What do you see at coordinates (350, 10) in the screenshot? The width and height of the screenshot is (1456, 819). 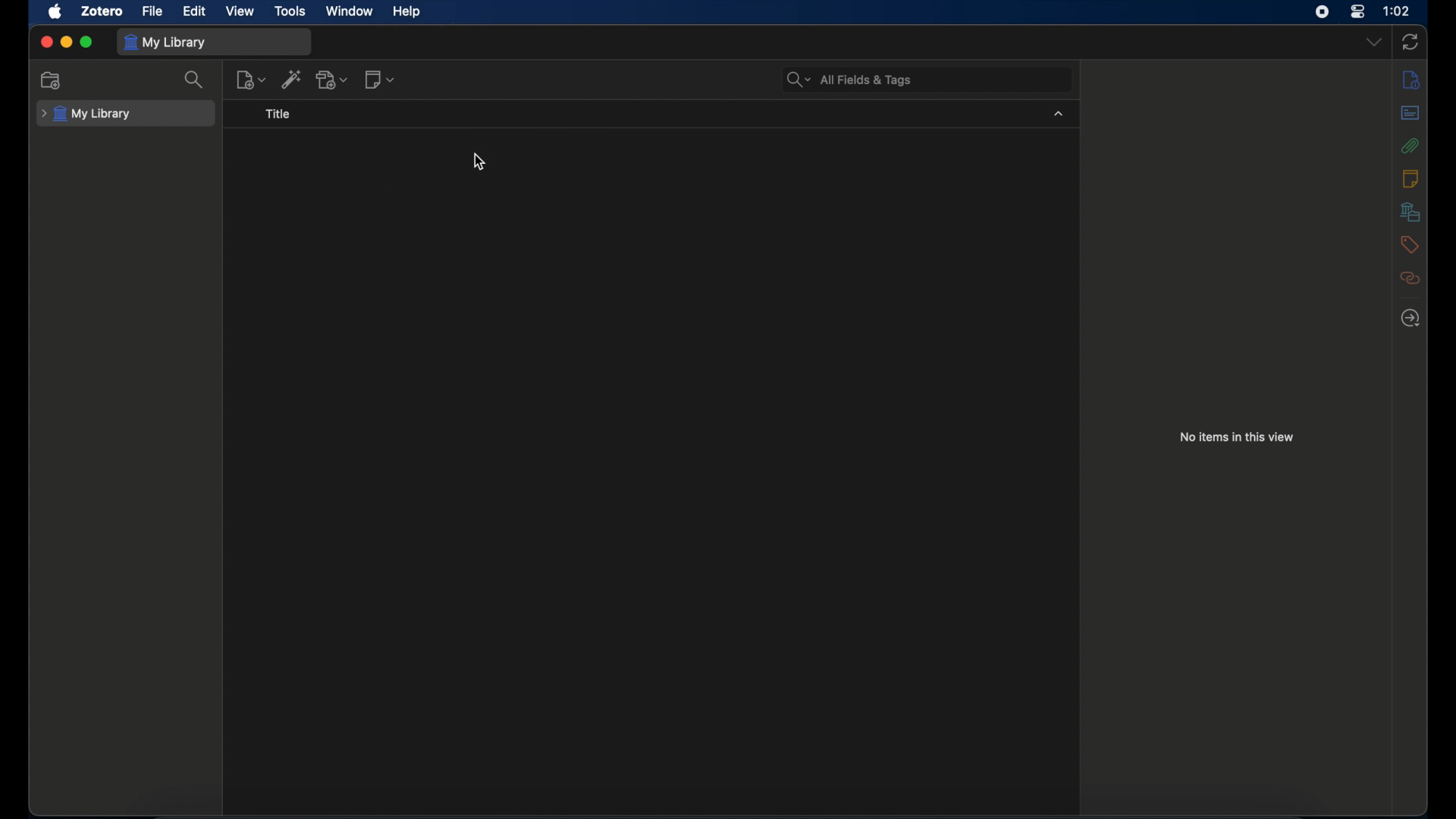 I see `window` at bounding box center [350, 10].